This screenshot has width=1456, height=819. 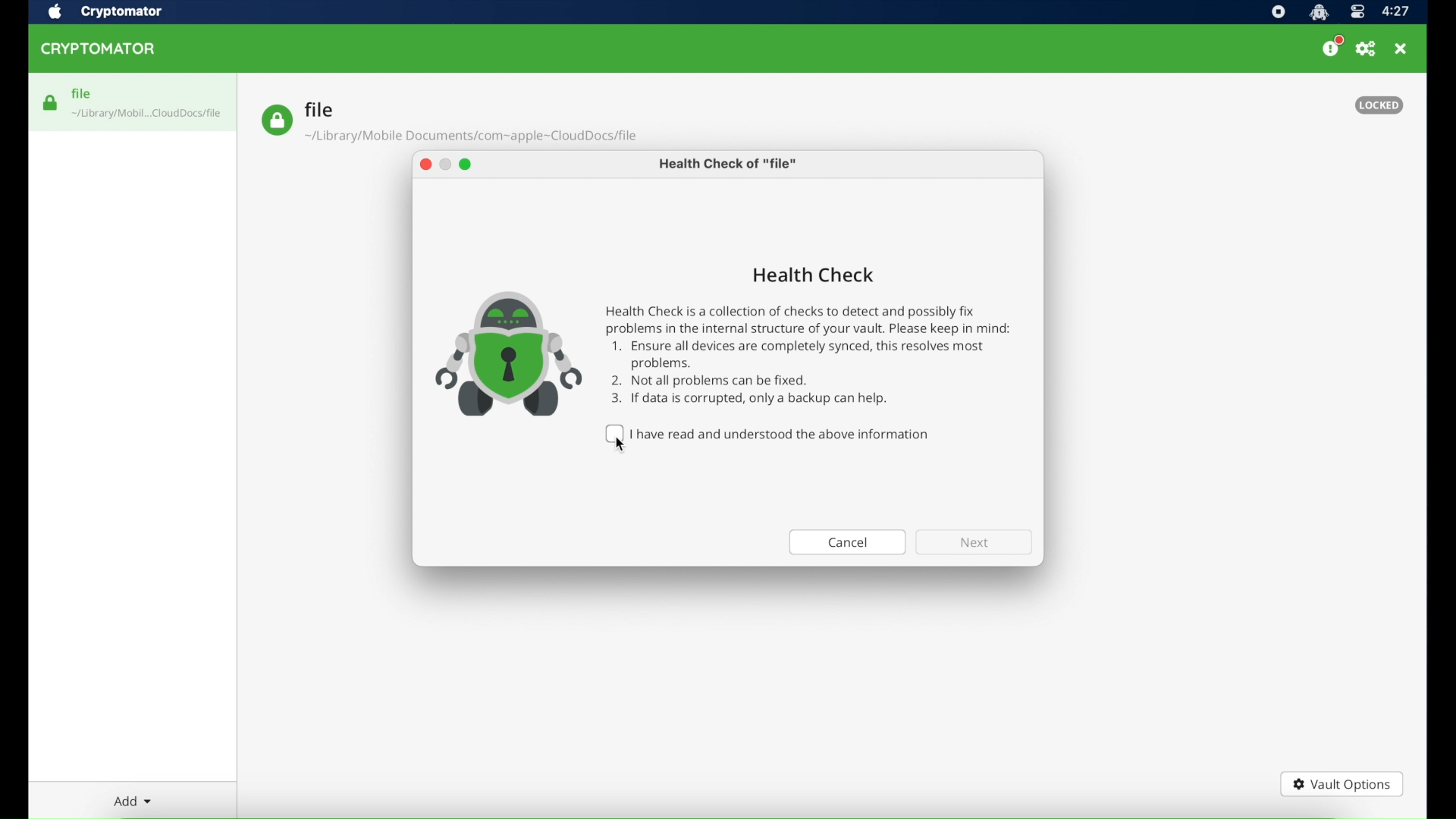 What do you see at coordinates (424, 164) in the screenshot?
I see `close` at bounding box center [424, 164].